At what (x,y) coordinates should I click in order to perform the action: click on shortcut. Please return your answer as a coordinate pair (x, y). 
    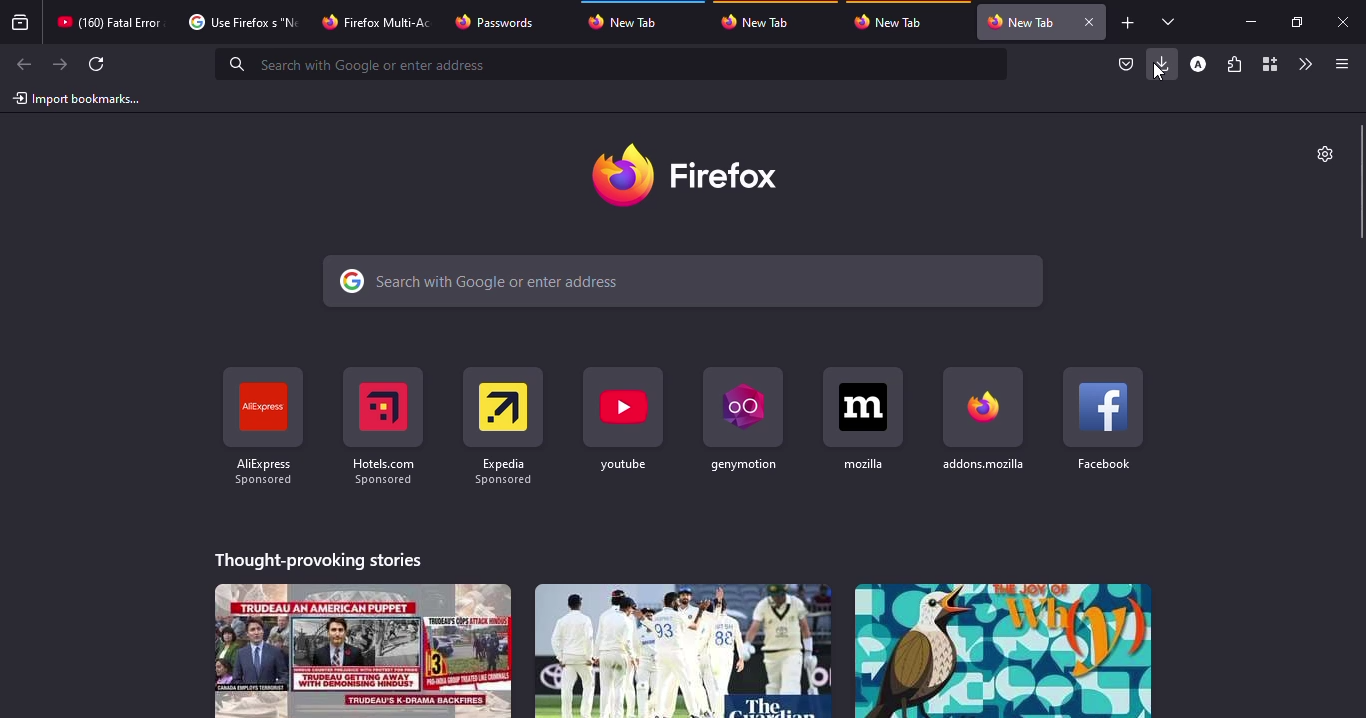
    Looking at the image, I should click on (985, 418).